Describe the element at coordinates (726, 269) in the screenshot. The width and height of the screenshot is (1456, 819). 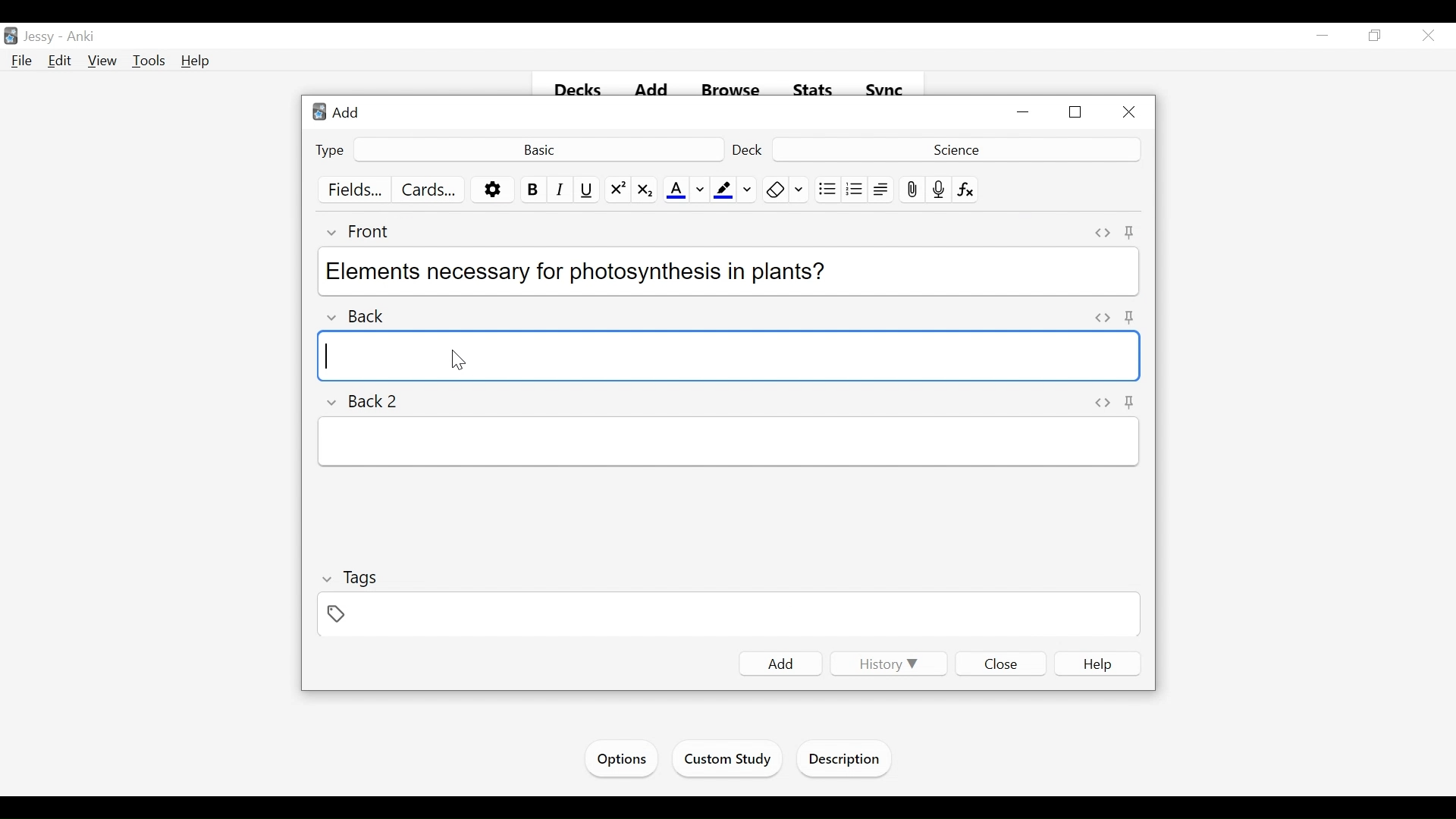
I see `Elements necessary for photosynthesis in plants?` at that location.